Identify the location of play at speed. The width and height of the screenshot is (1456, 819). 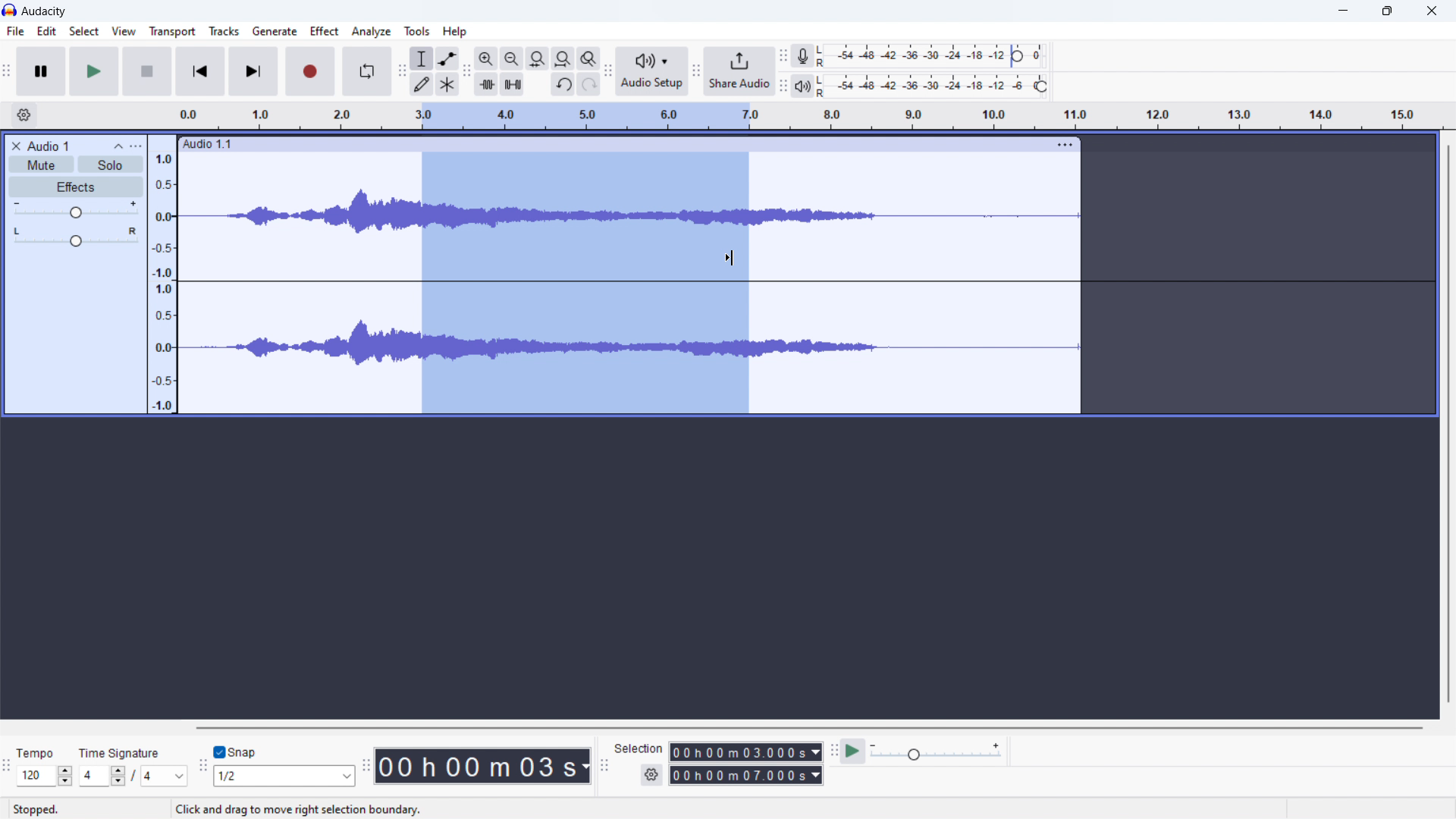
(853, 752).